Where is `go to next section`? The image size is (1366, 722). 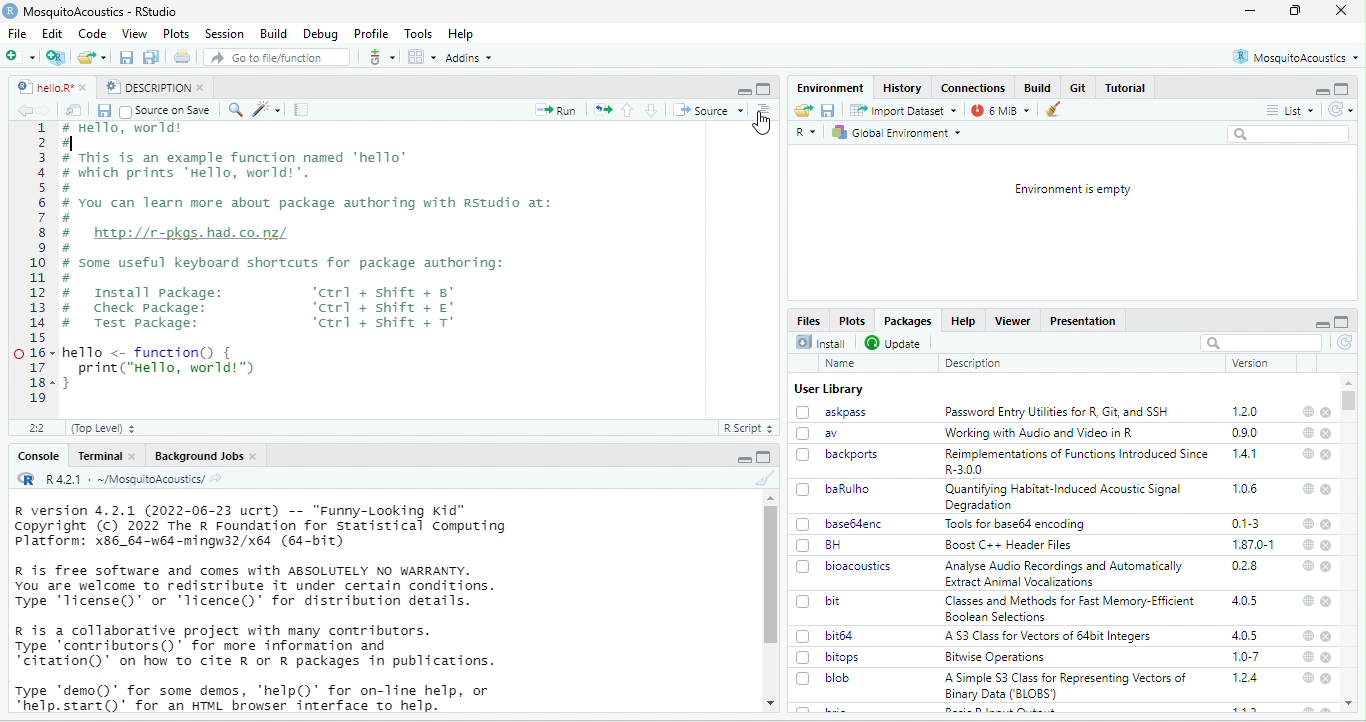
go to next section is located at coordinates (651, 111).